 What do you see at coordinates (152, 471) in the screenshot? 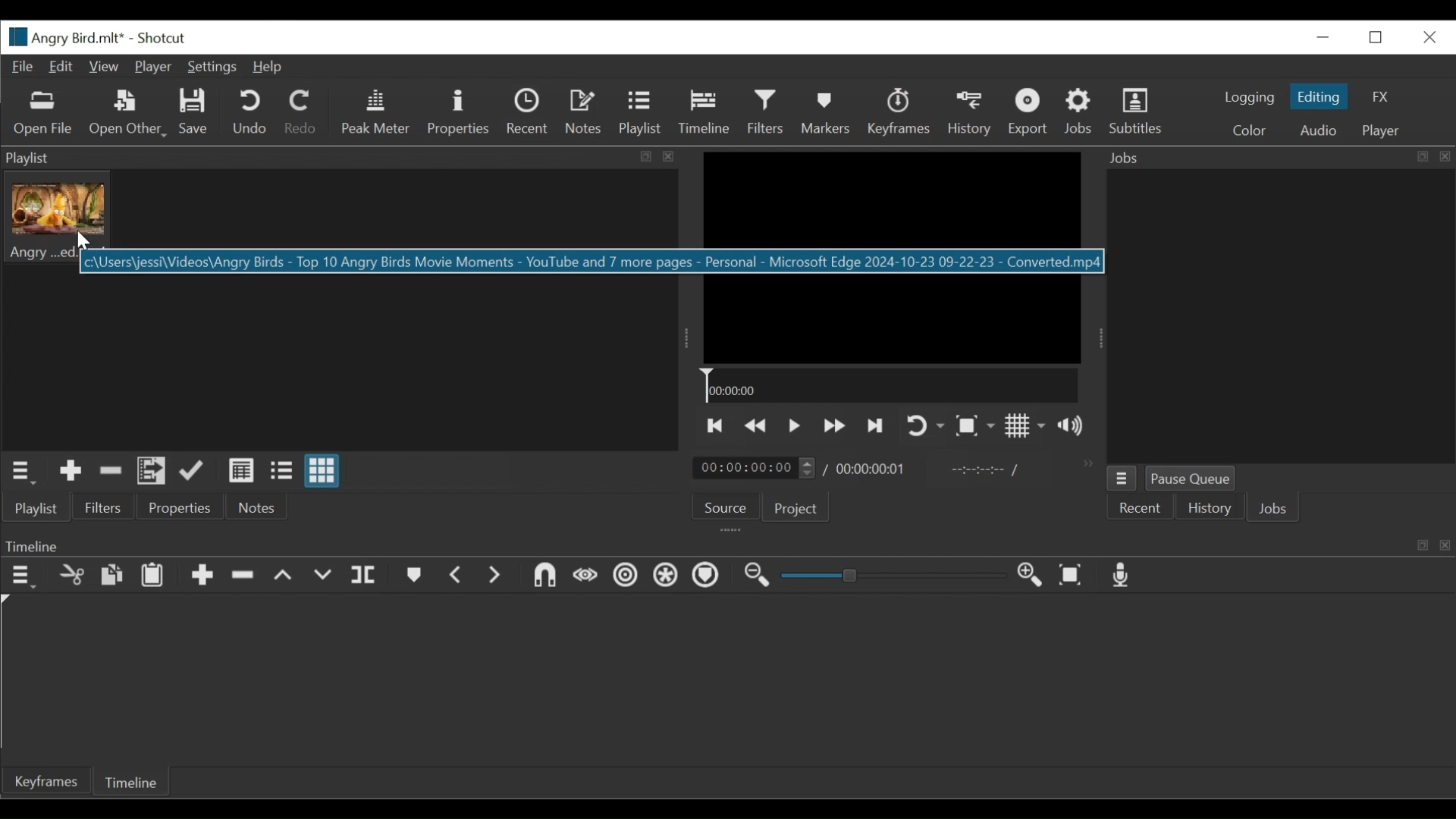
I see `Add files to the playlist` at bounding box center [152, 471].